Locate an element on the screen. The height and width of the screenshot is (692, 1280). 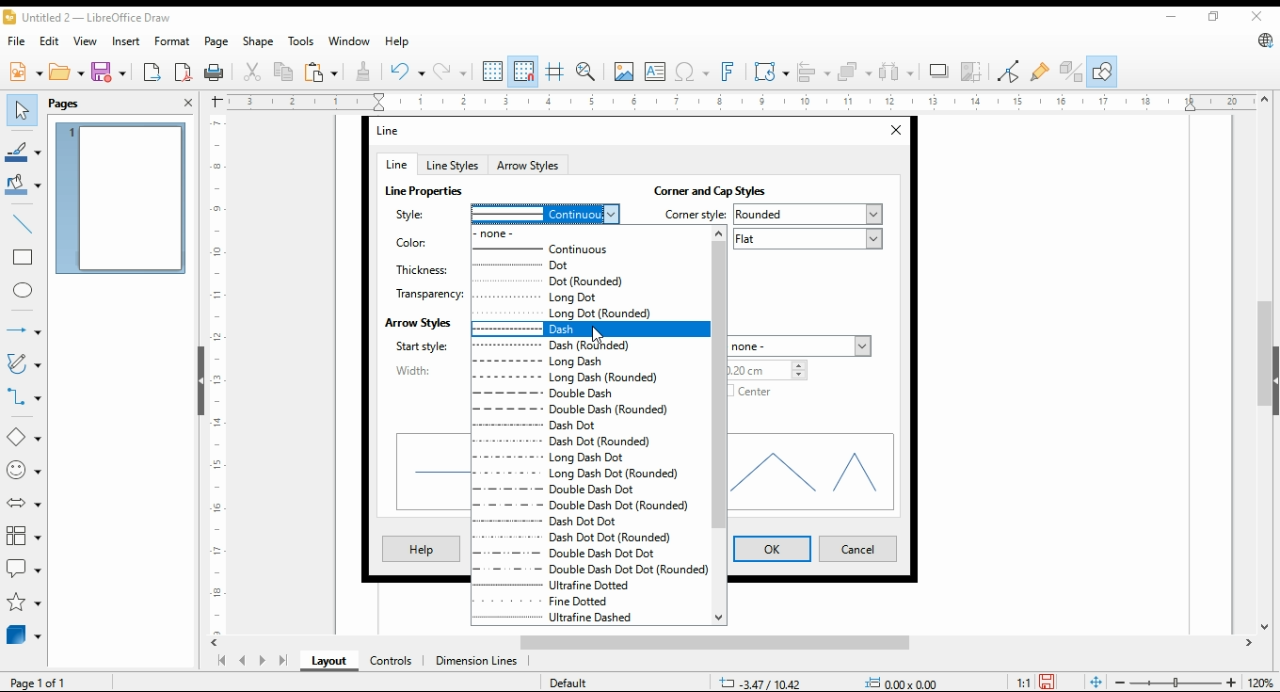
show gluepoint functions is located at coordinates (1038, 71).